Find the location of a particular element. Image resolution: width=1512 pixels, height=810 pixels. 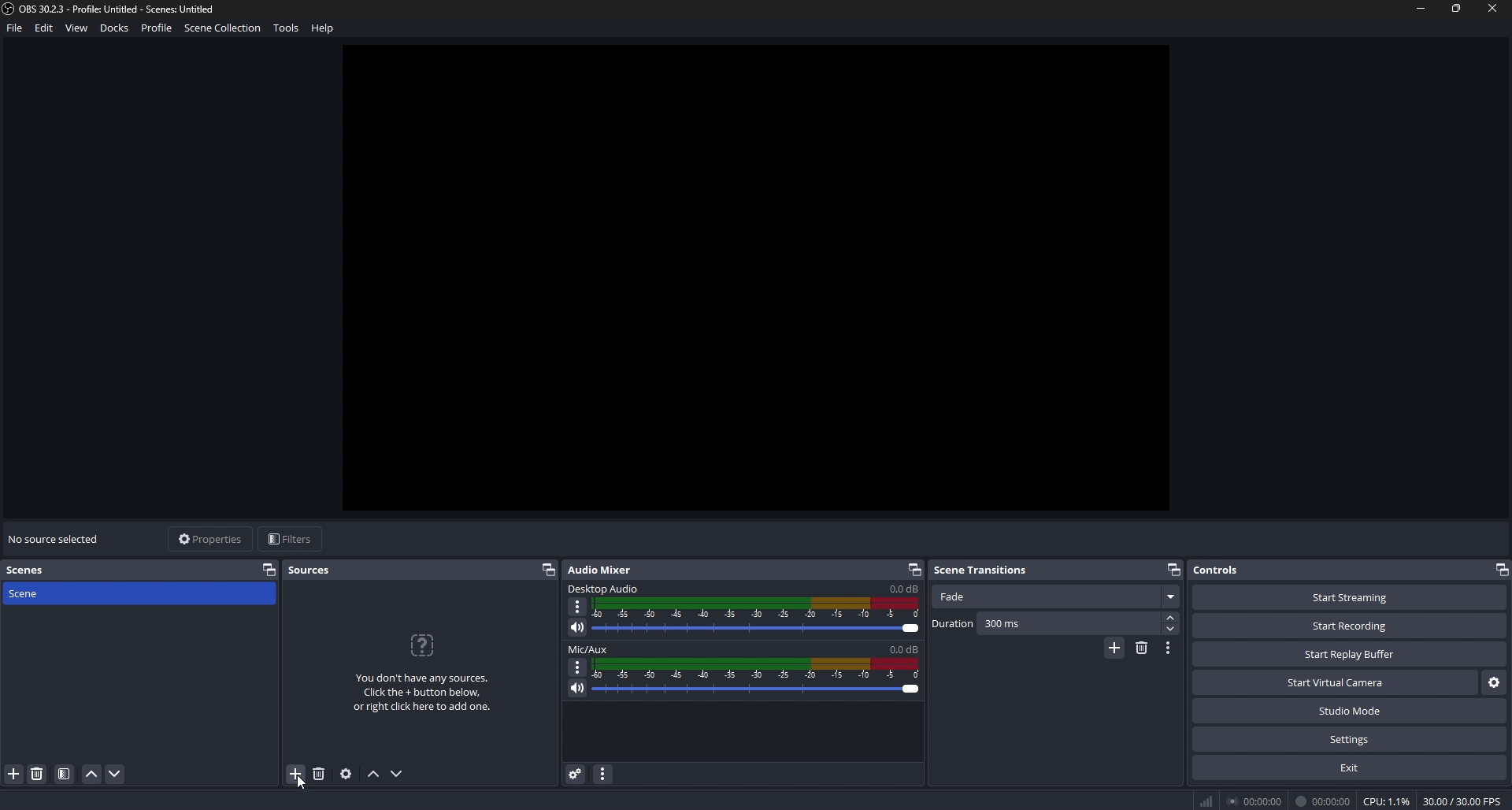

transition properties is located at coordinates (1169, 648).